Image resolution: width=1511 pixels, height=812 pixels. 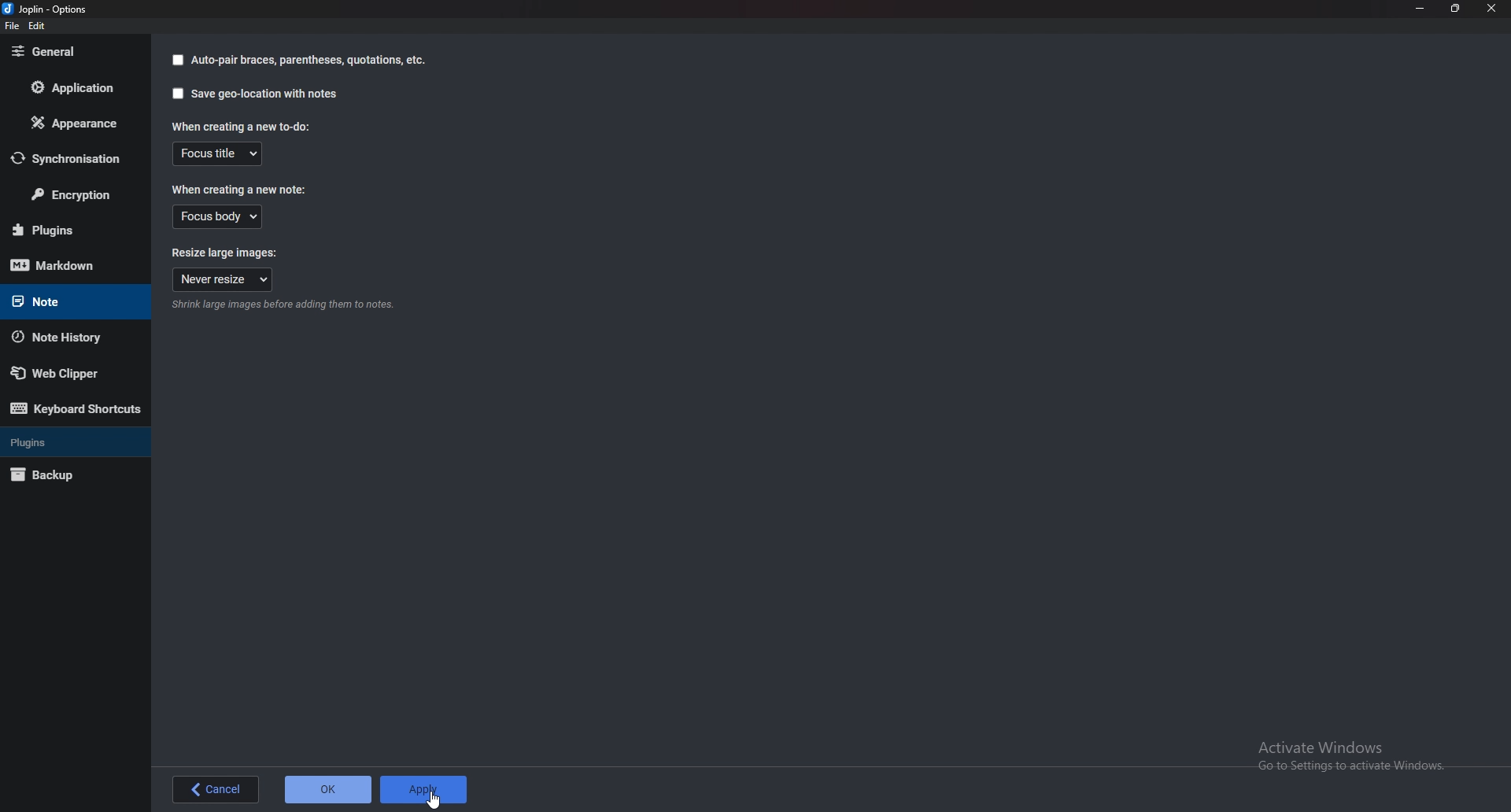 What do you see at coordinates (426, 788) in the screenshot?
I see `Apply` at bounding box center [426, 788].